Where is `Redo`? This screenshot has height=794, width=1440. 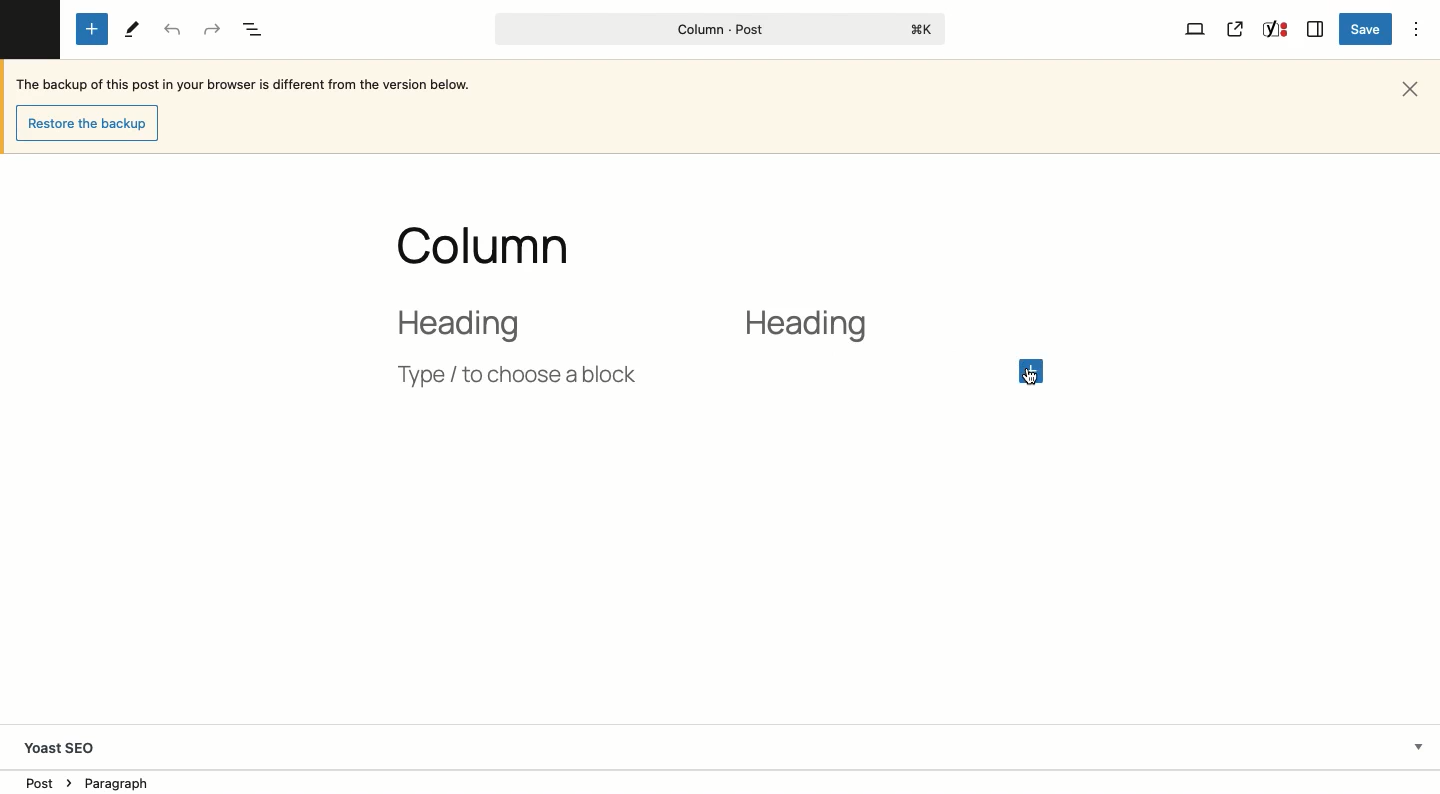
Redo is located at coordinates (213, 30).